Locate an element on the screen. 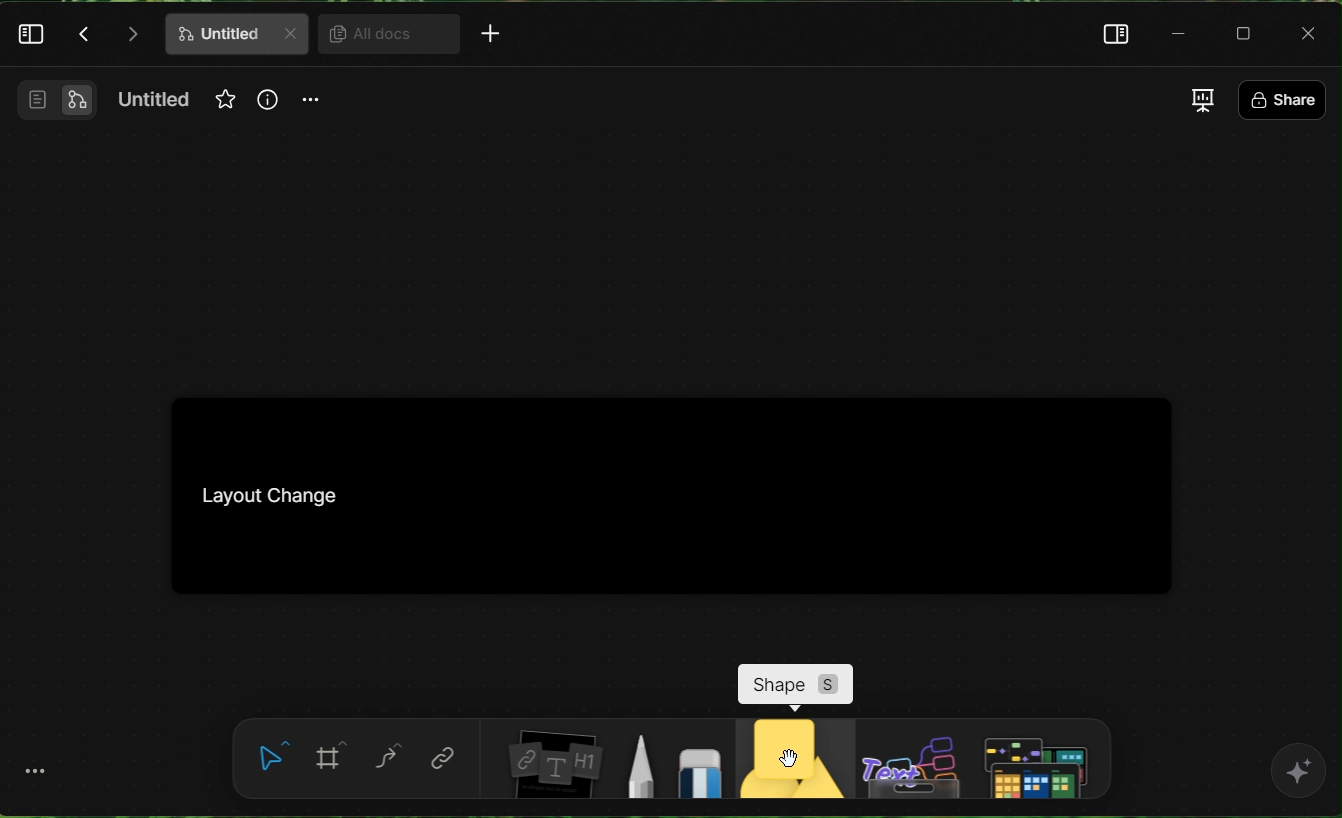 The image size is (1342, 818). Box is located at coordinates (1249, 33).